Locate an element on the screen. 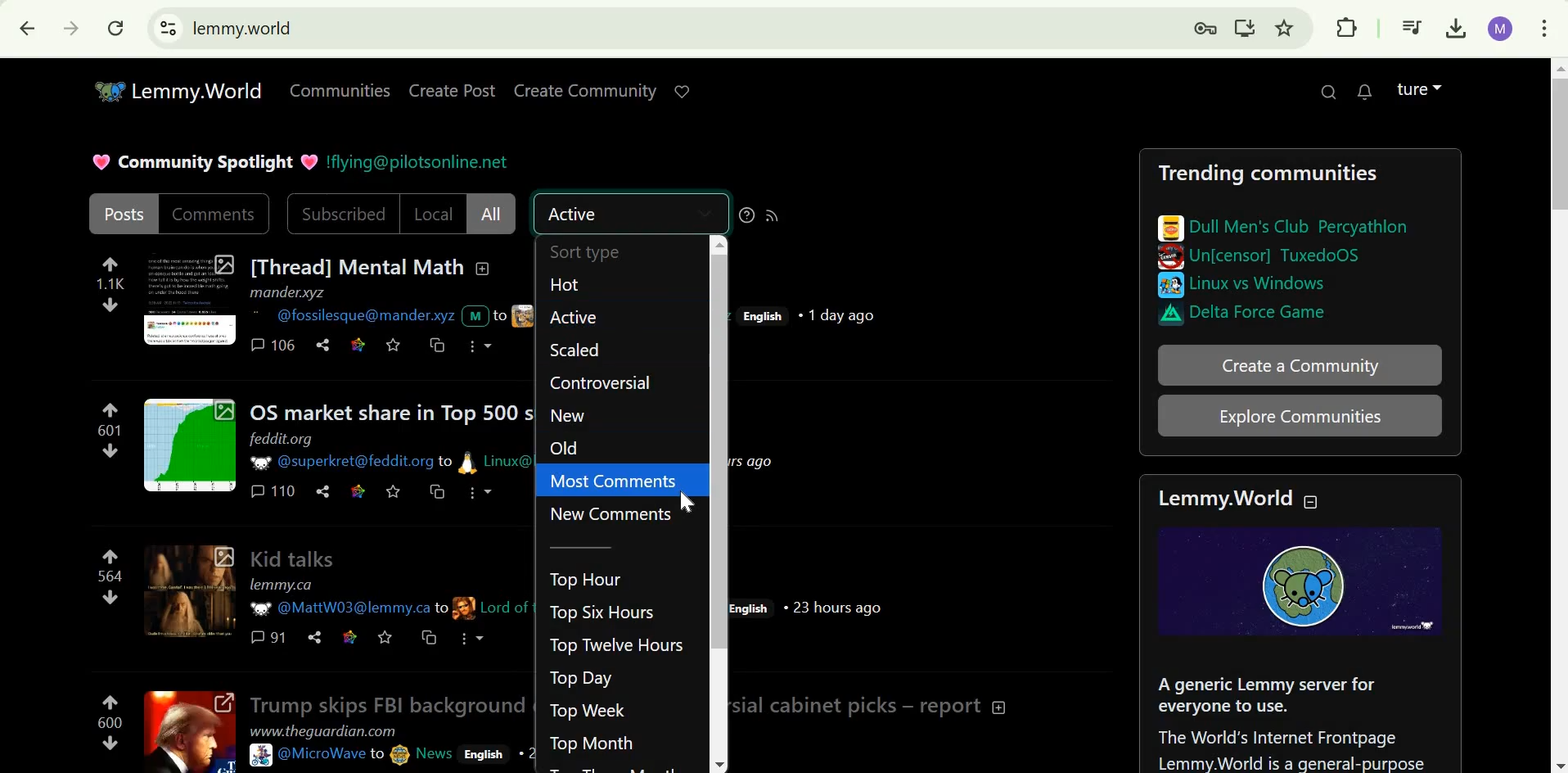 The height and width of the screenshot is (773, 1568). more is located at coordinates (476, 493).